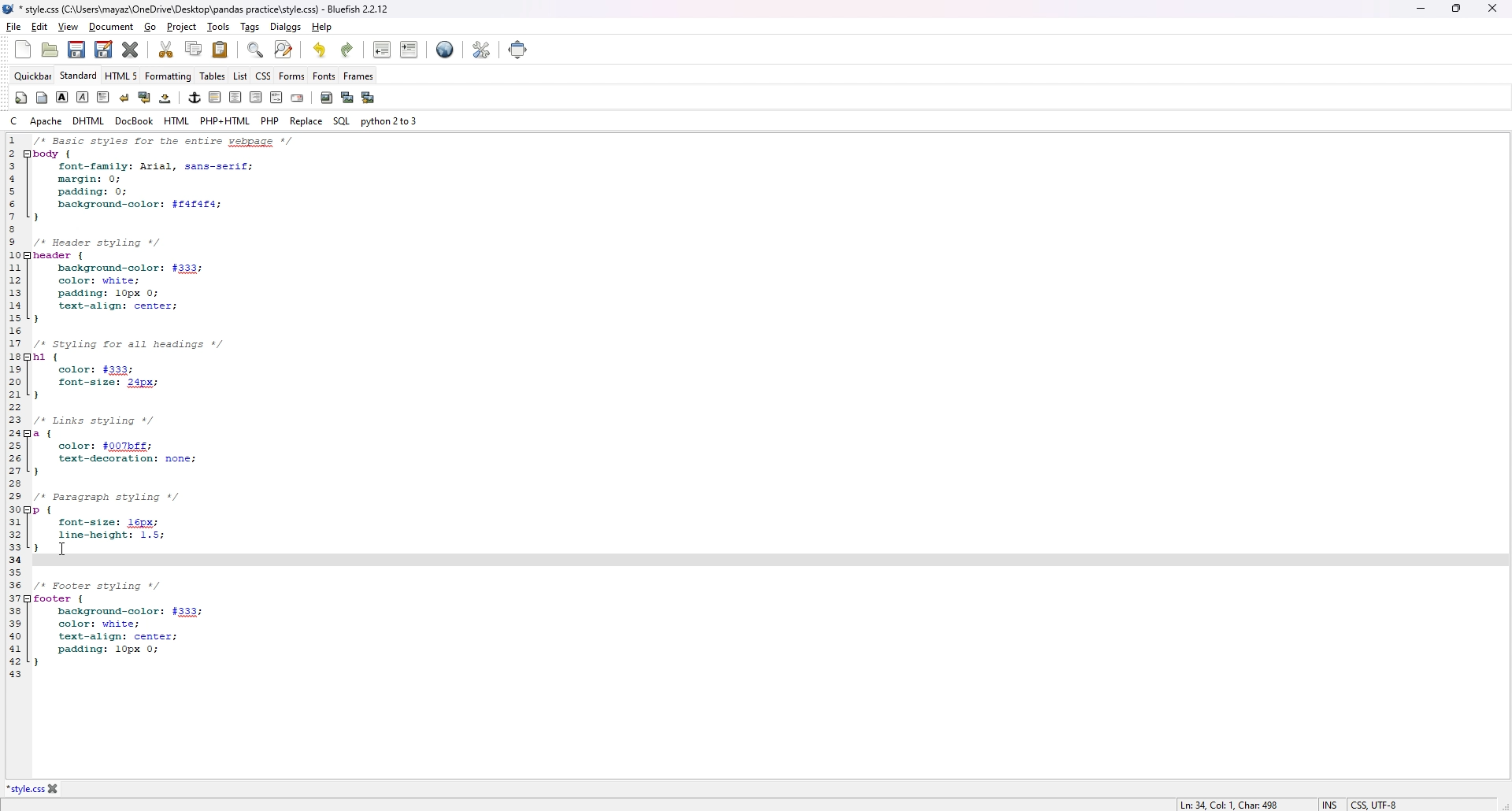 This screenshot has height=811, width=1512. I want to click on right justify, so click(256, 97).